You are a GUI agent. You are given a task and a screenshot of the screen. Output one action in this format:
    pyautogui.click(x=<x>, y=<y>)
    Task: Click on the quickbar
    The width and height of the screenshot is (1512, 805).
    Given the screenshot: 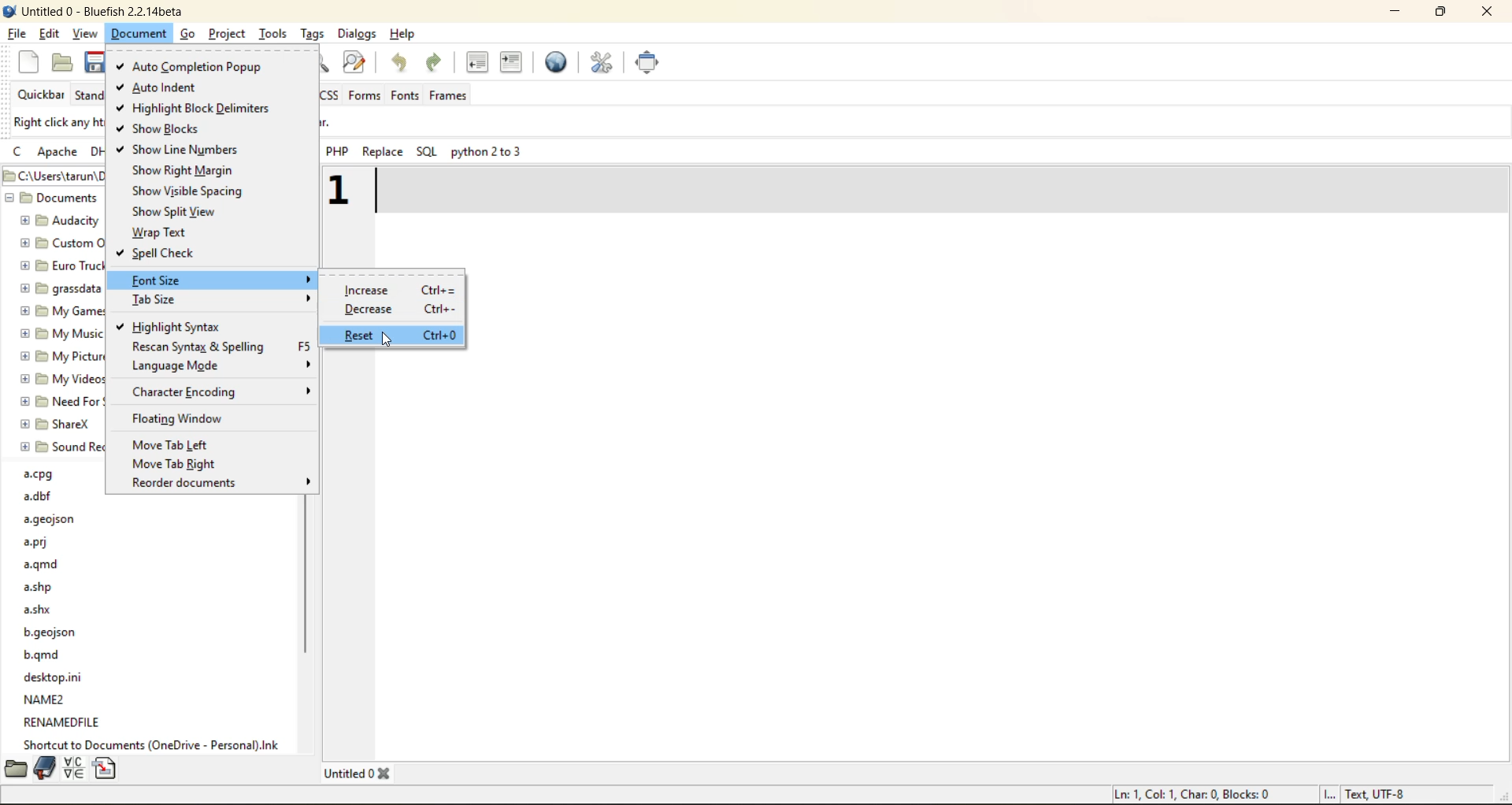 What is the action you would take?
    pyautogui.click(x=41, y=94)
    